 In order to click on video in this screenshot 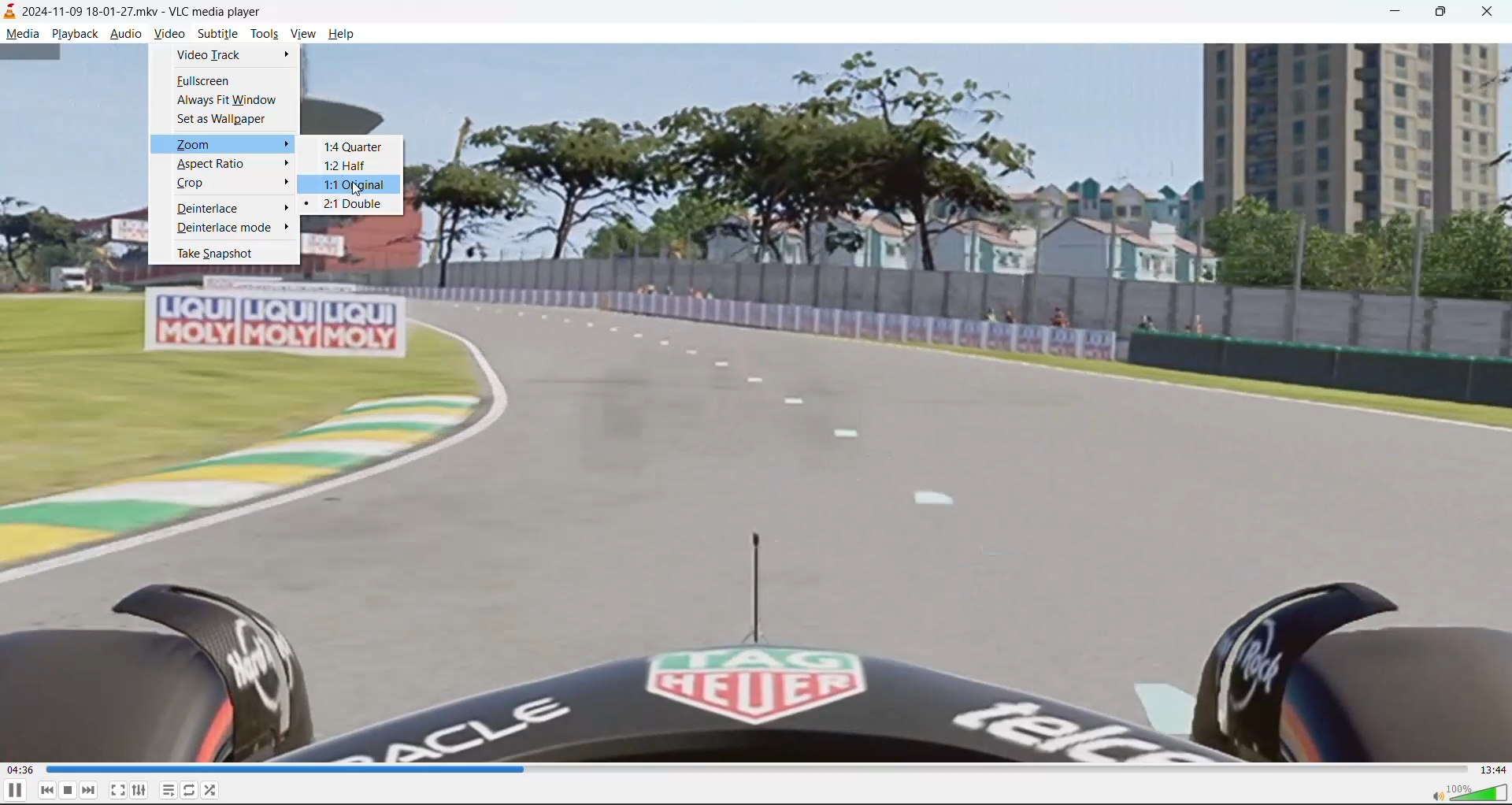, I will do `click(168, 35)`.